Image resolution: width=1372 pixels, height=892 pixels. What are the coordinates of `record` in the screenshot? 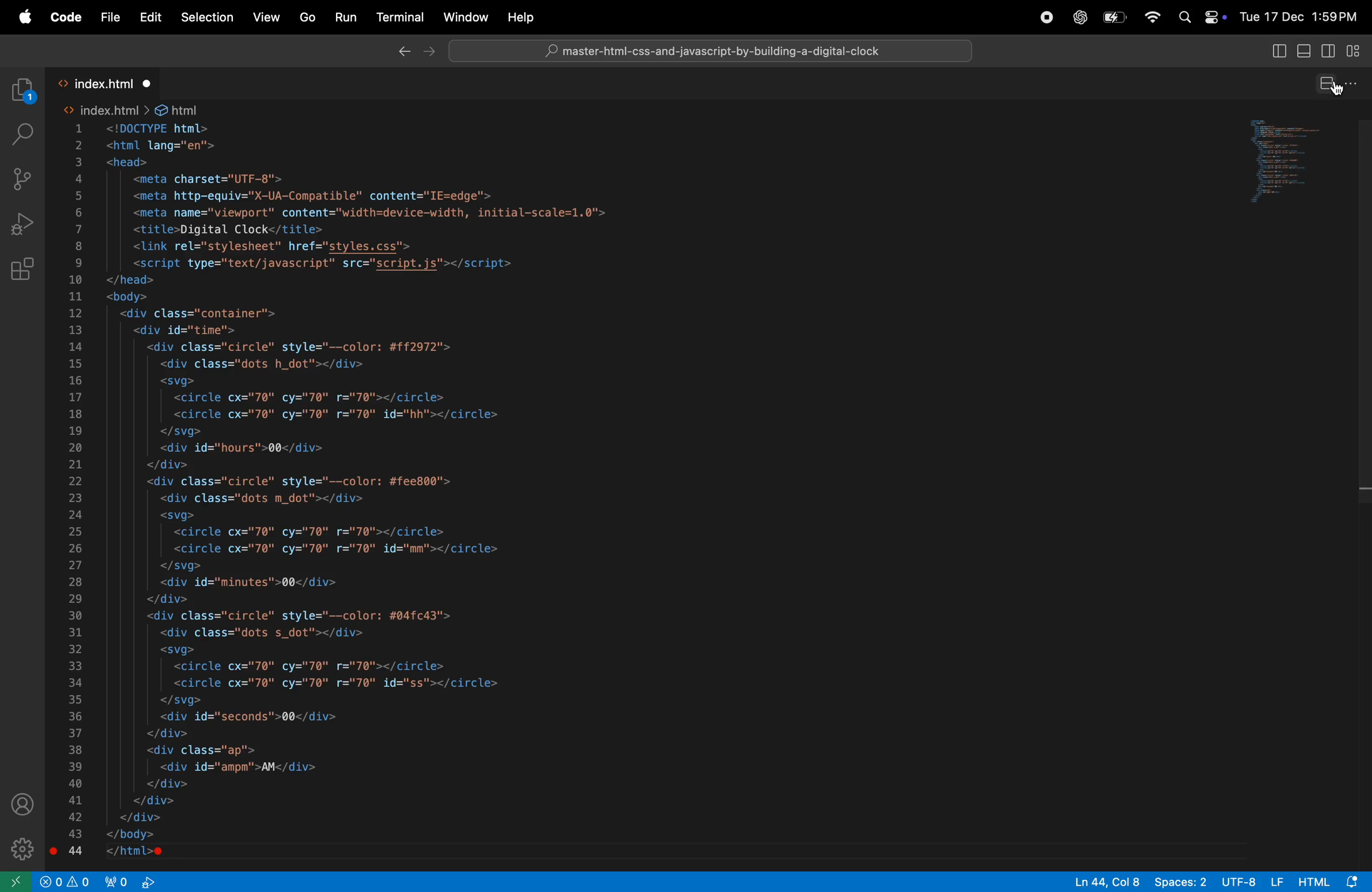 It's located at (1046, 17).